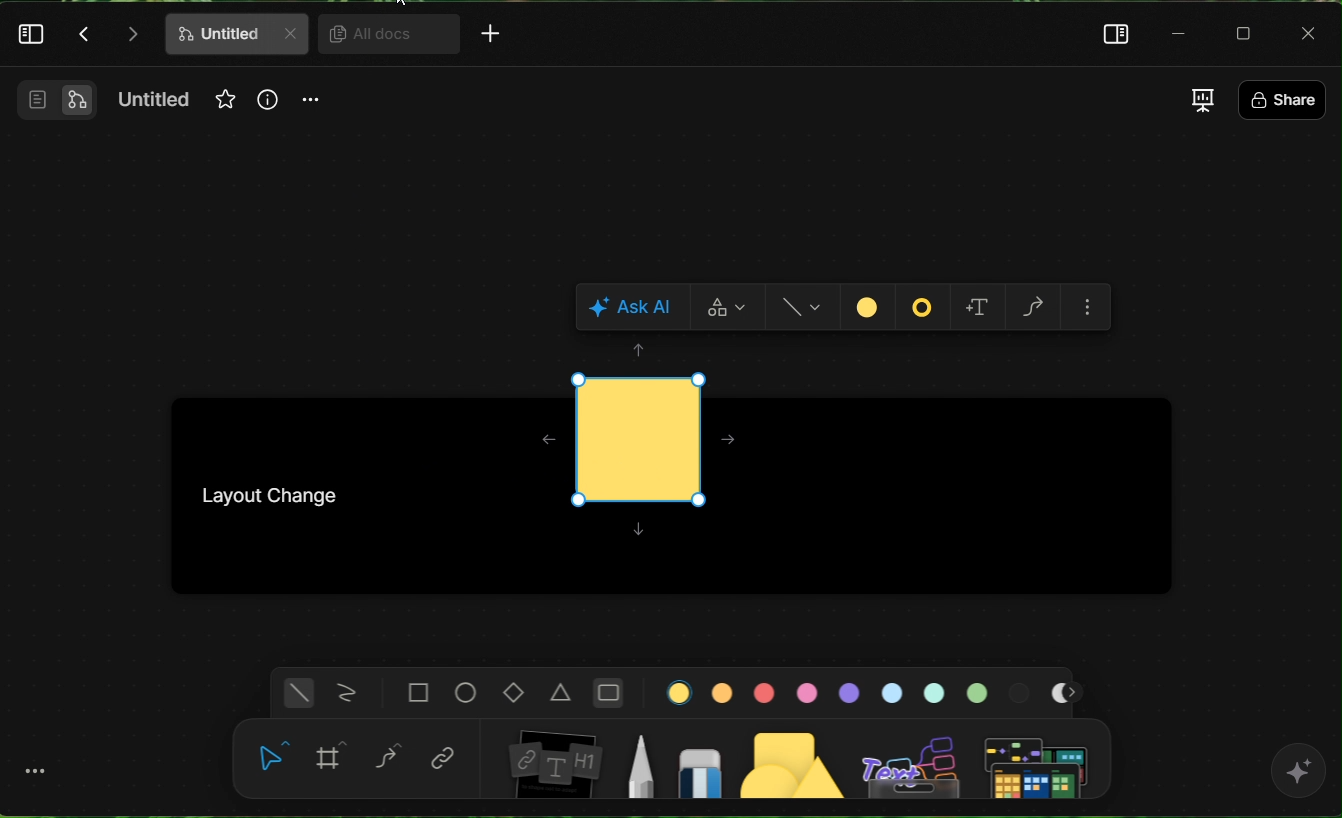 This screenshot has width=1342, height=818. I want to click on others, so click(911, 756).